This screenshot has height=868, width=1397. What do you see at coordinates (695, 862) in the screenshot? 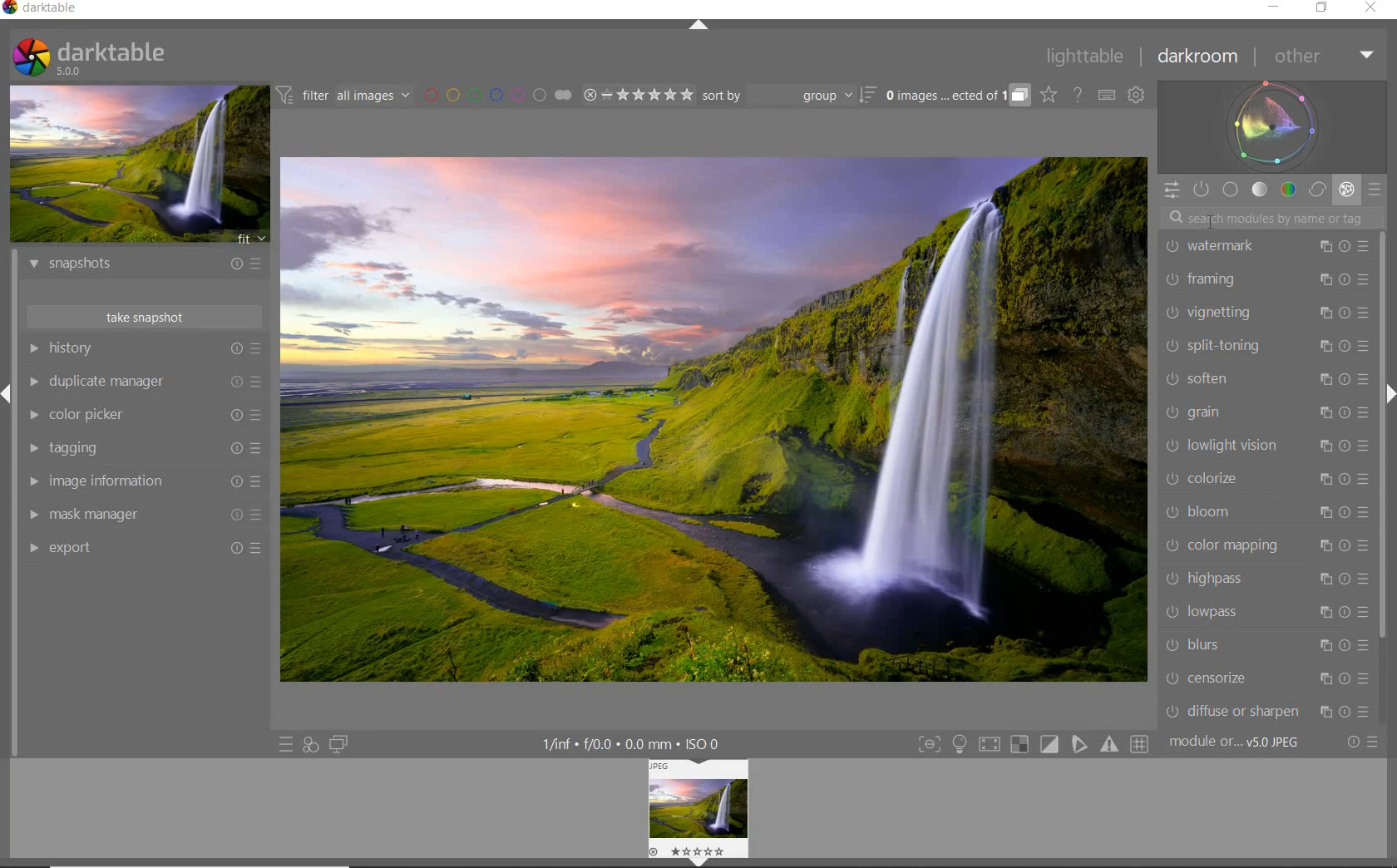
I see `Expand/Collapse` at bounding box center [695, 862].